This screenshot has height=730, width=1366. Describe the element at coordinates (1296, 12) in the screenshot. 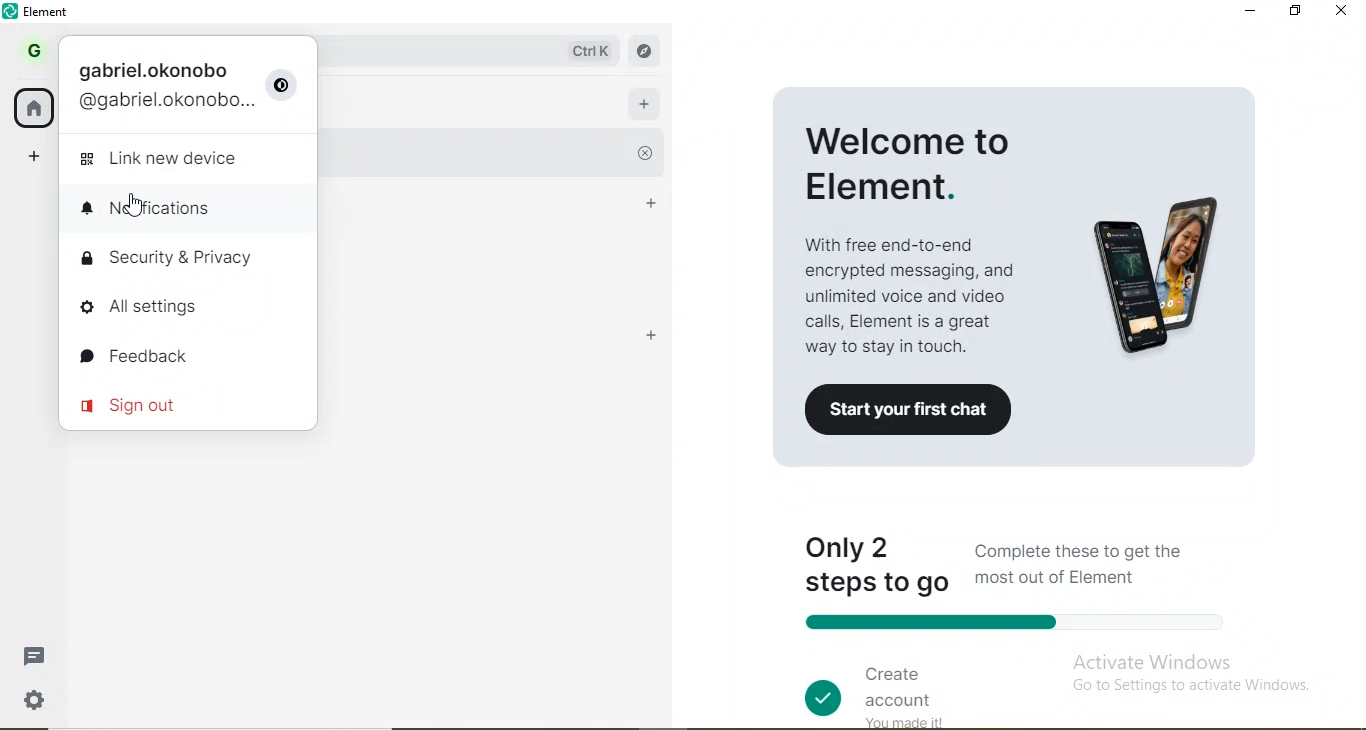

I see `restore` at that location.